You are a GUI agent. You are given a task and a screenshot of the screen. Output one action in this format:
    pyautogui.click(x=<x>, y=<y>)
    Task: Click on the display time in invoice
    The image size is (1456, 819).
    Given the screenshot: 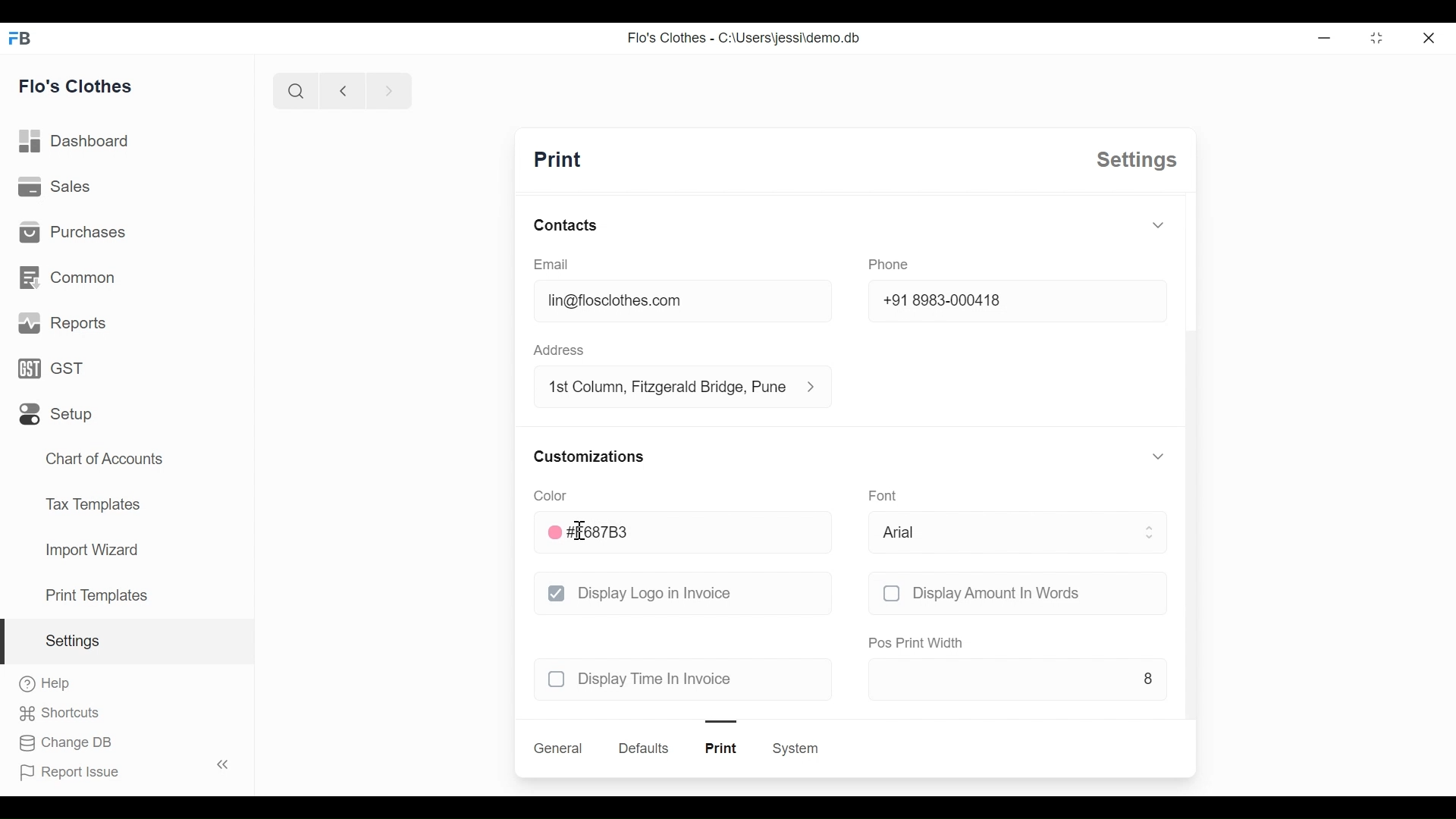 What is the action you would take?
    pyautogui.click(x=660, y=679)
    